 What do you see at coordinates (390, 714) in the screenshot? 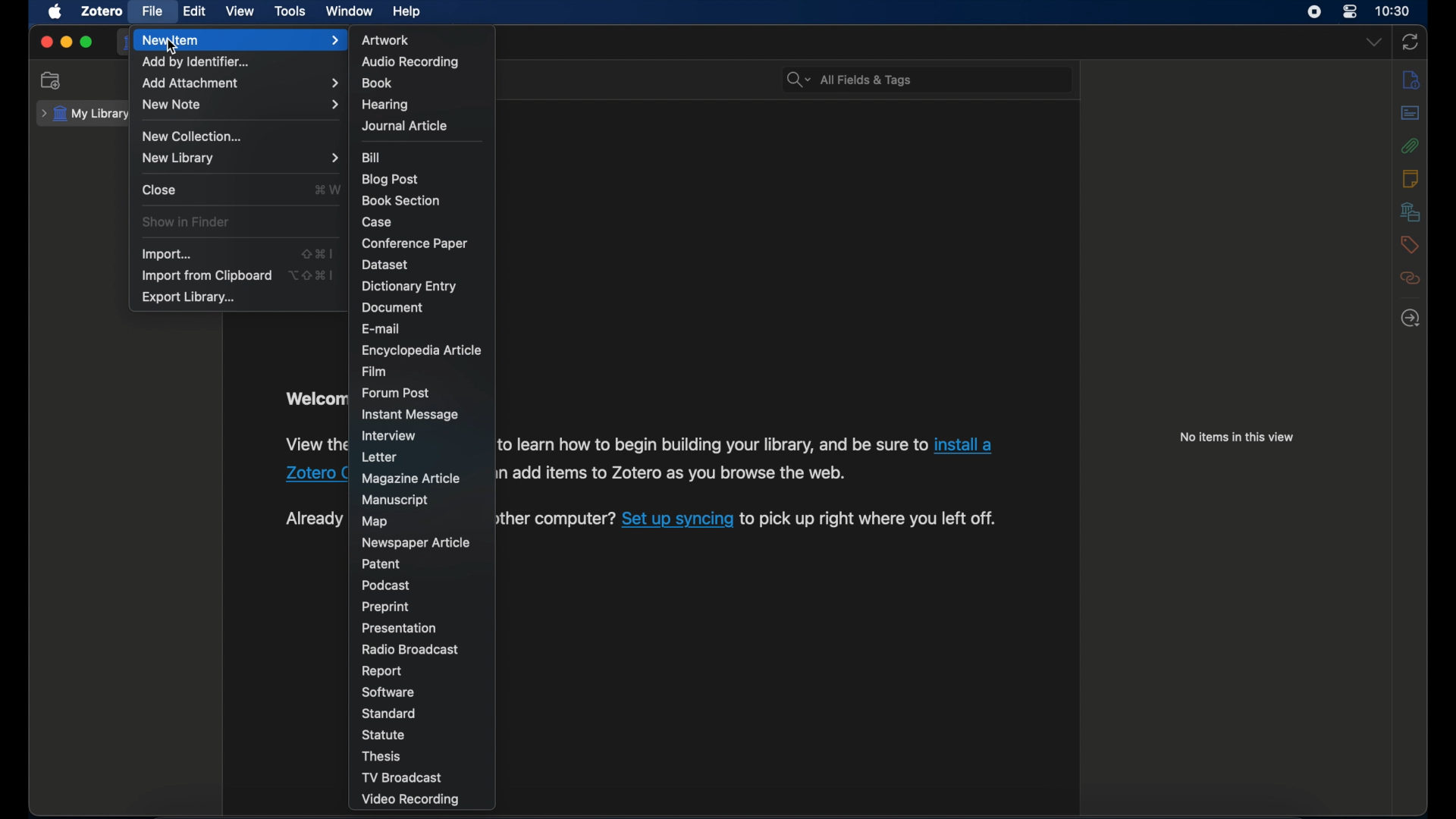
I see `standard` at bounding box center [390, 714].